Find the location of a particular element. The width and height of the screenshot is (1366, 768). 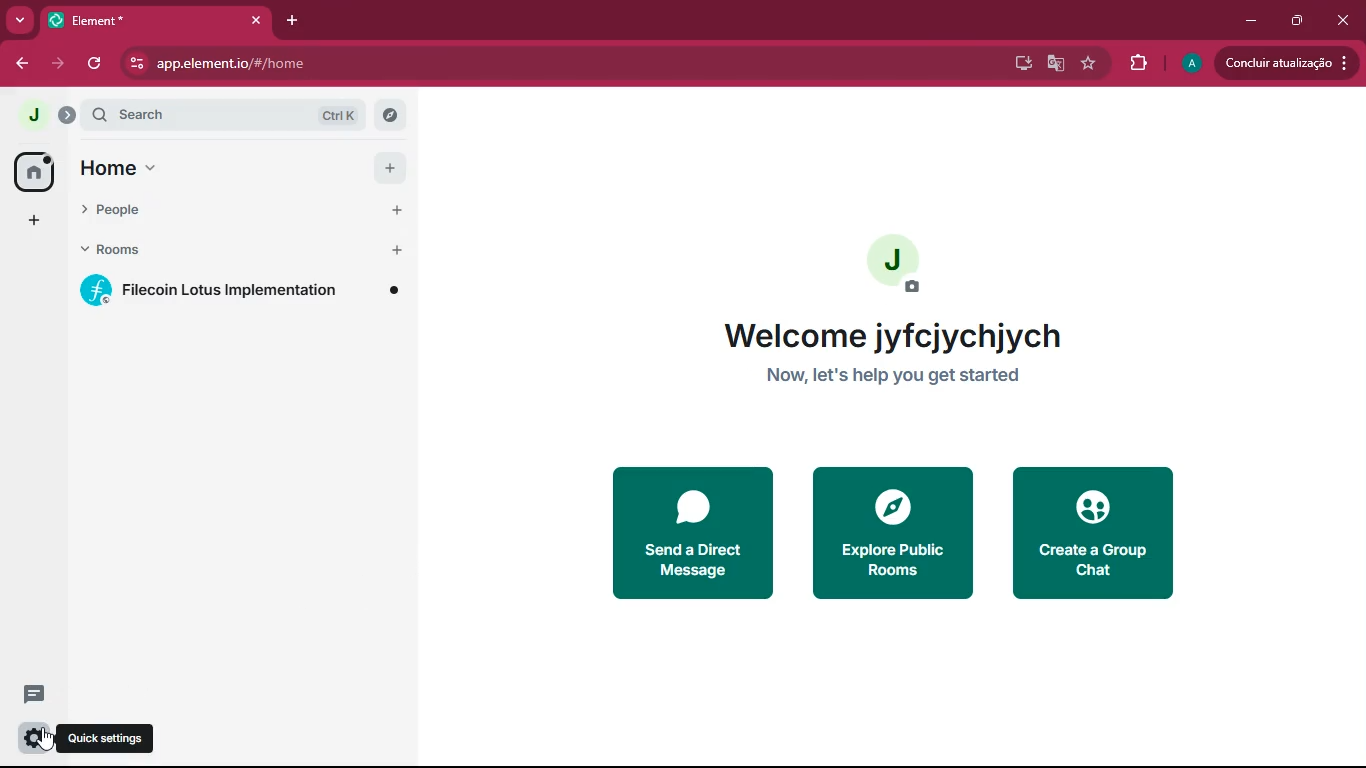

close is located at coordinates (1343, 21).